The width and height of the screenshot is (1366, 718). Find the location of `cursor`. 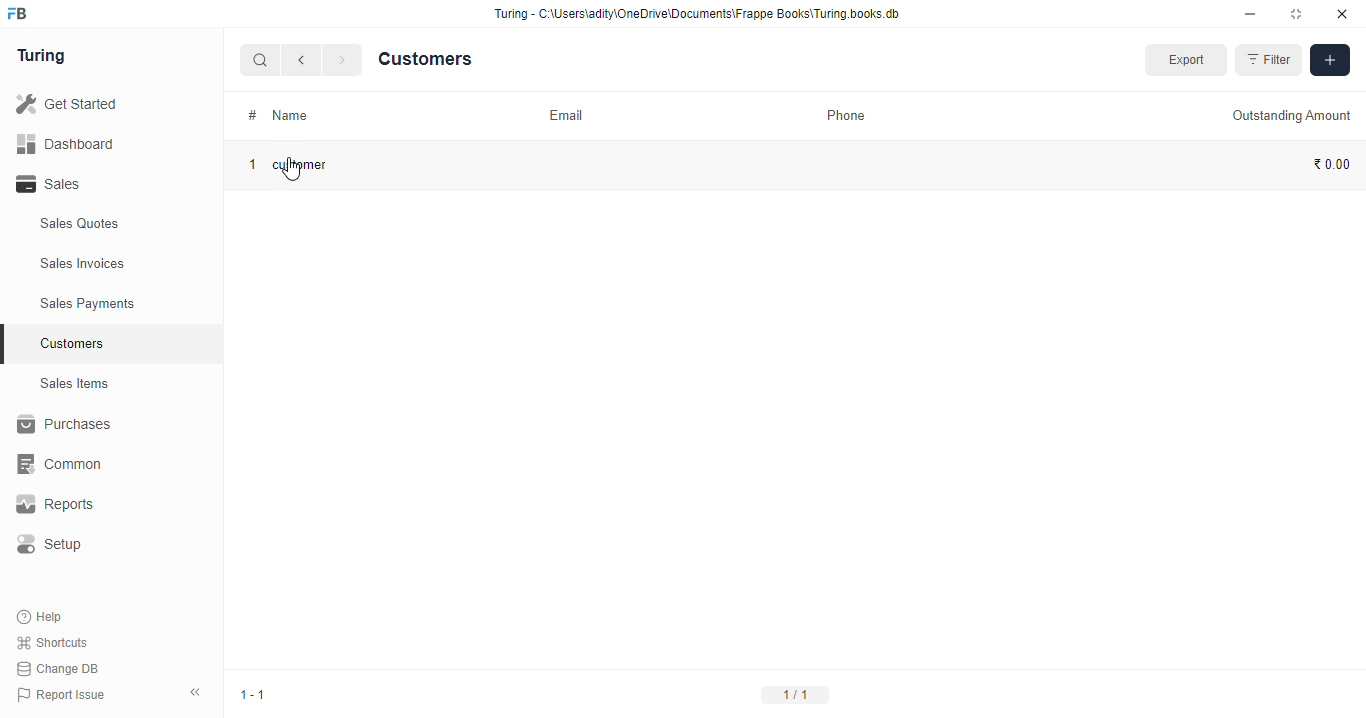

cursor is located at coordinates (295, 172).